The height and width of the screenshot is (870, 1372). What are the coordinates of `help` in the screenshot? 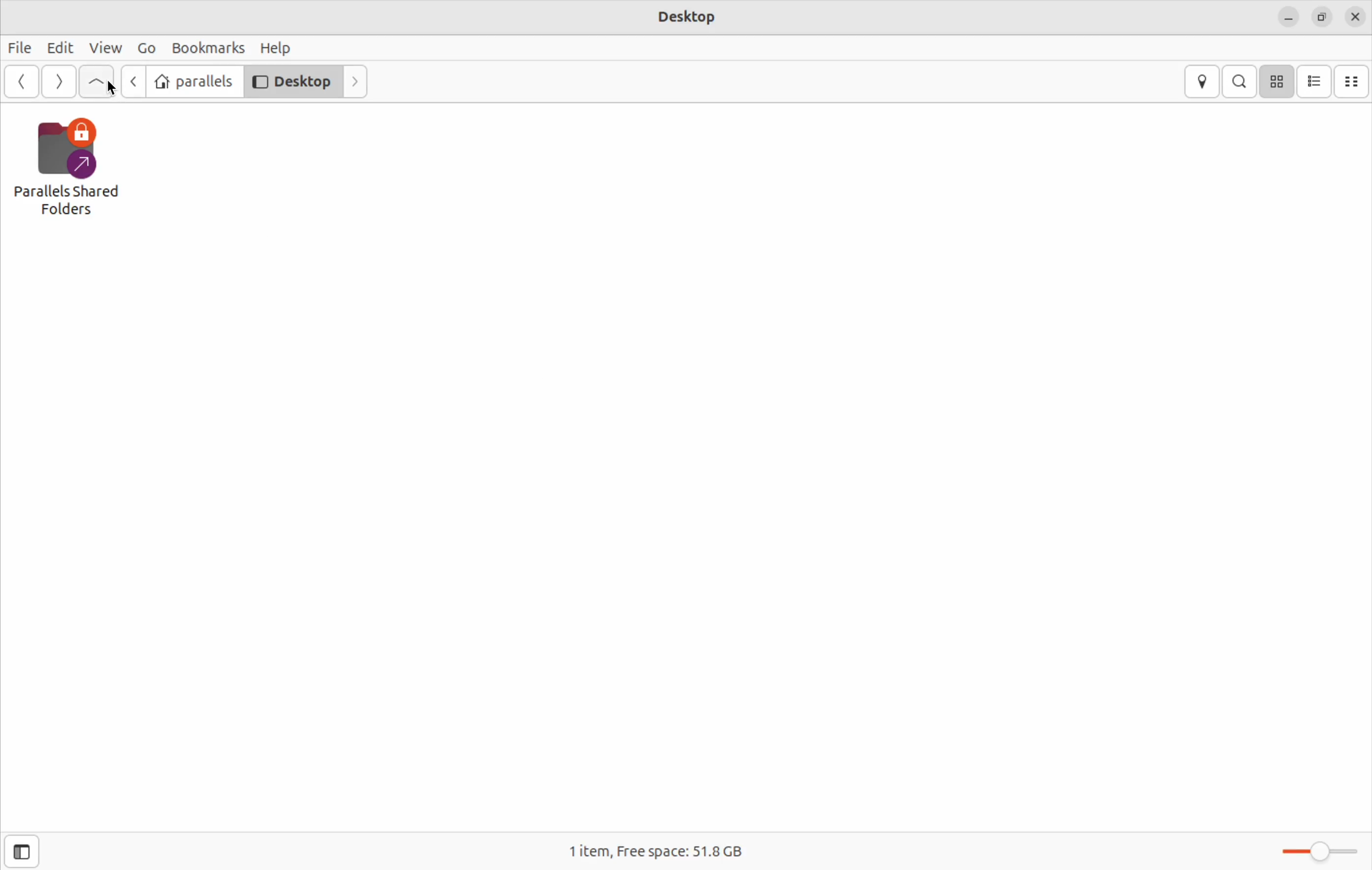 It's located at (280, 48).